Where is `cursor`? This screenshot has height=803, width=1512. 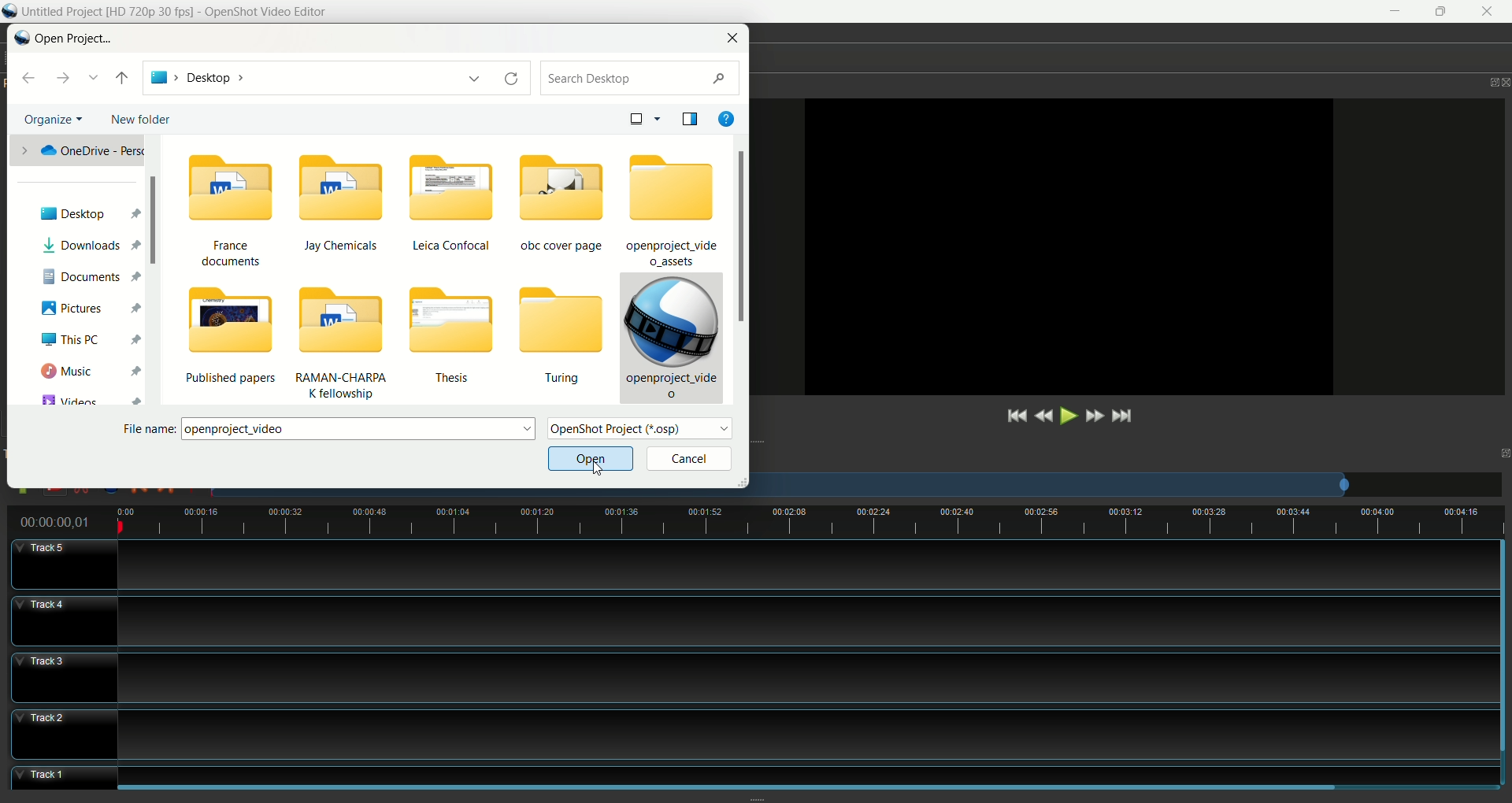 cursor is located at coordinates (598, 469).